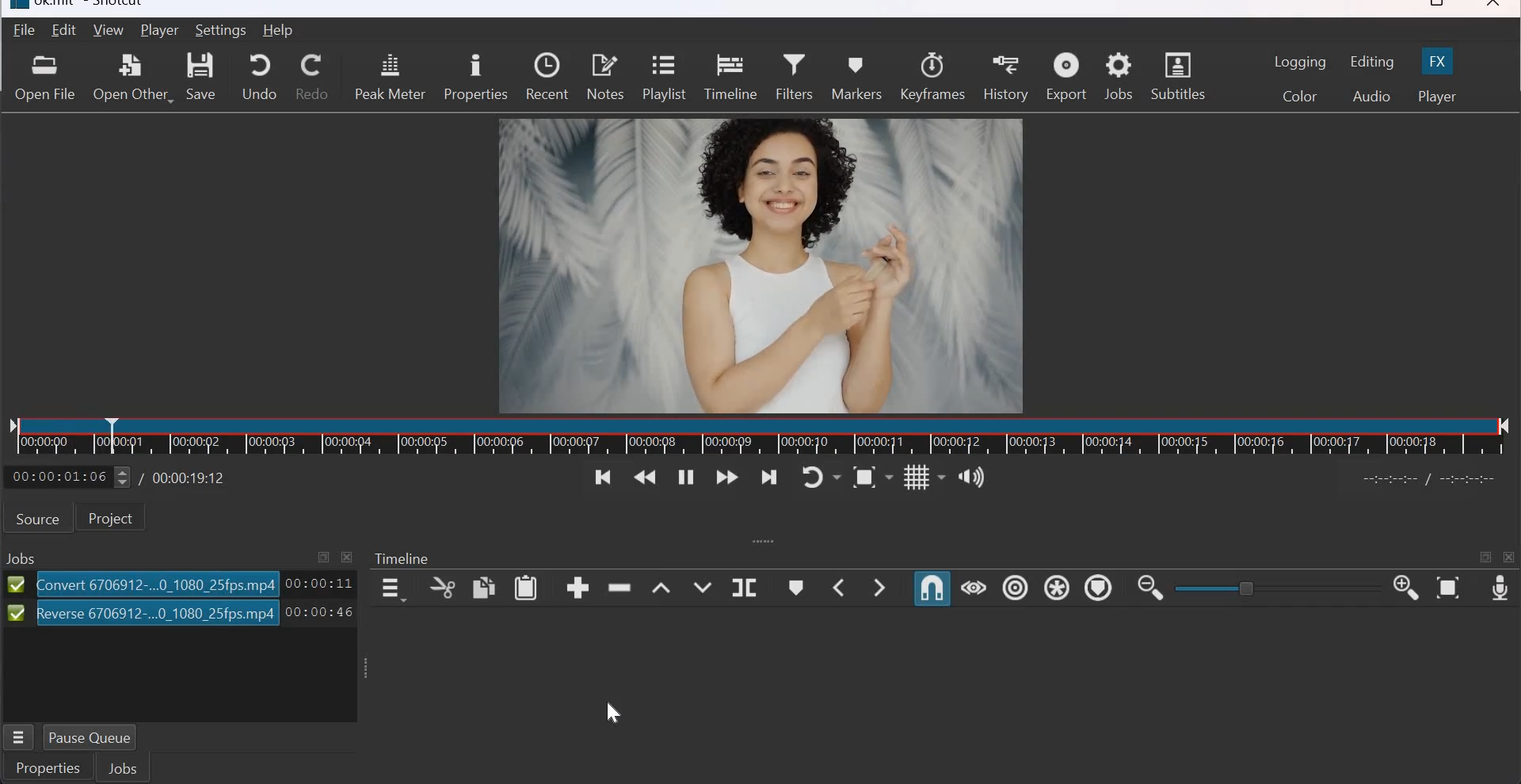  What do you see at coordinates (1150, 590) in the screenshot?
I see `Zoom Timeline out` at bounding box center [1150, 590].